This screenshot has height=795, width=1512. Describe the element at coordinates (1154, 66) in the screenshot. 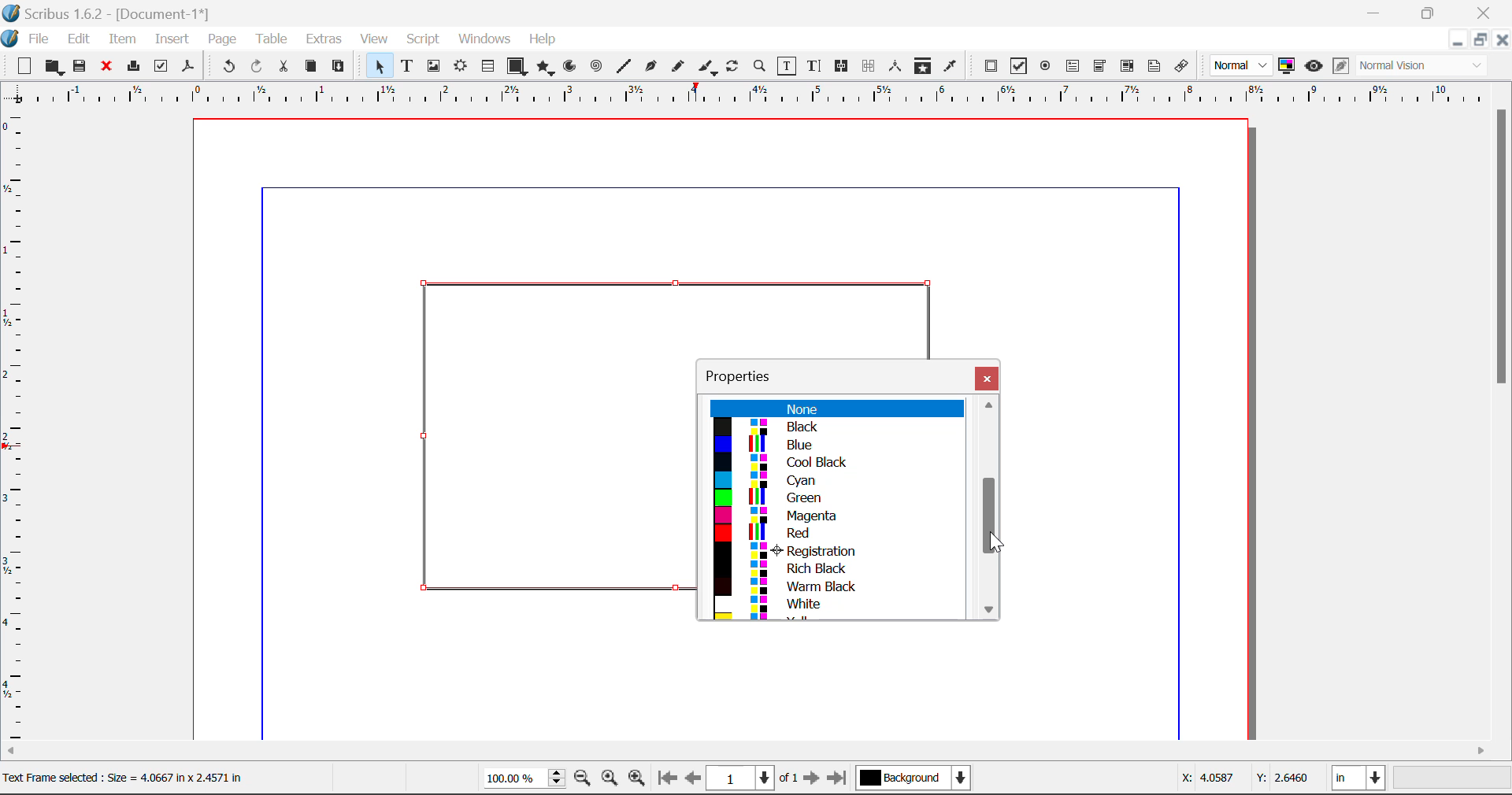

I see `Text Annotation` at that location.